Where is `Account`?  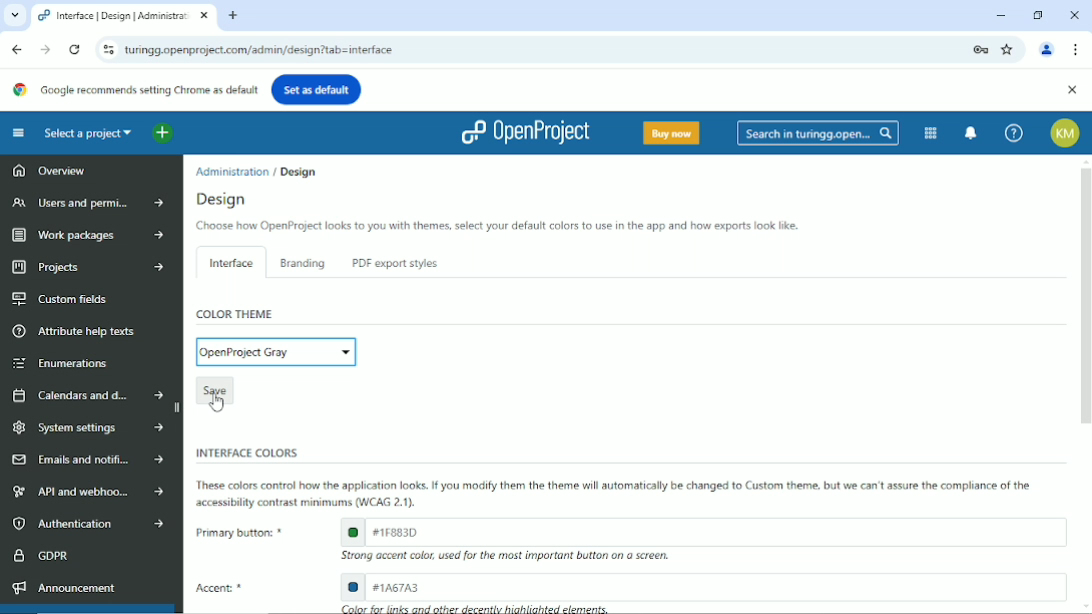 Account is located at coordinates (1066, 133).